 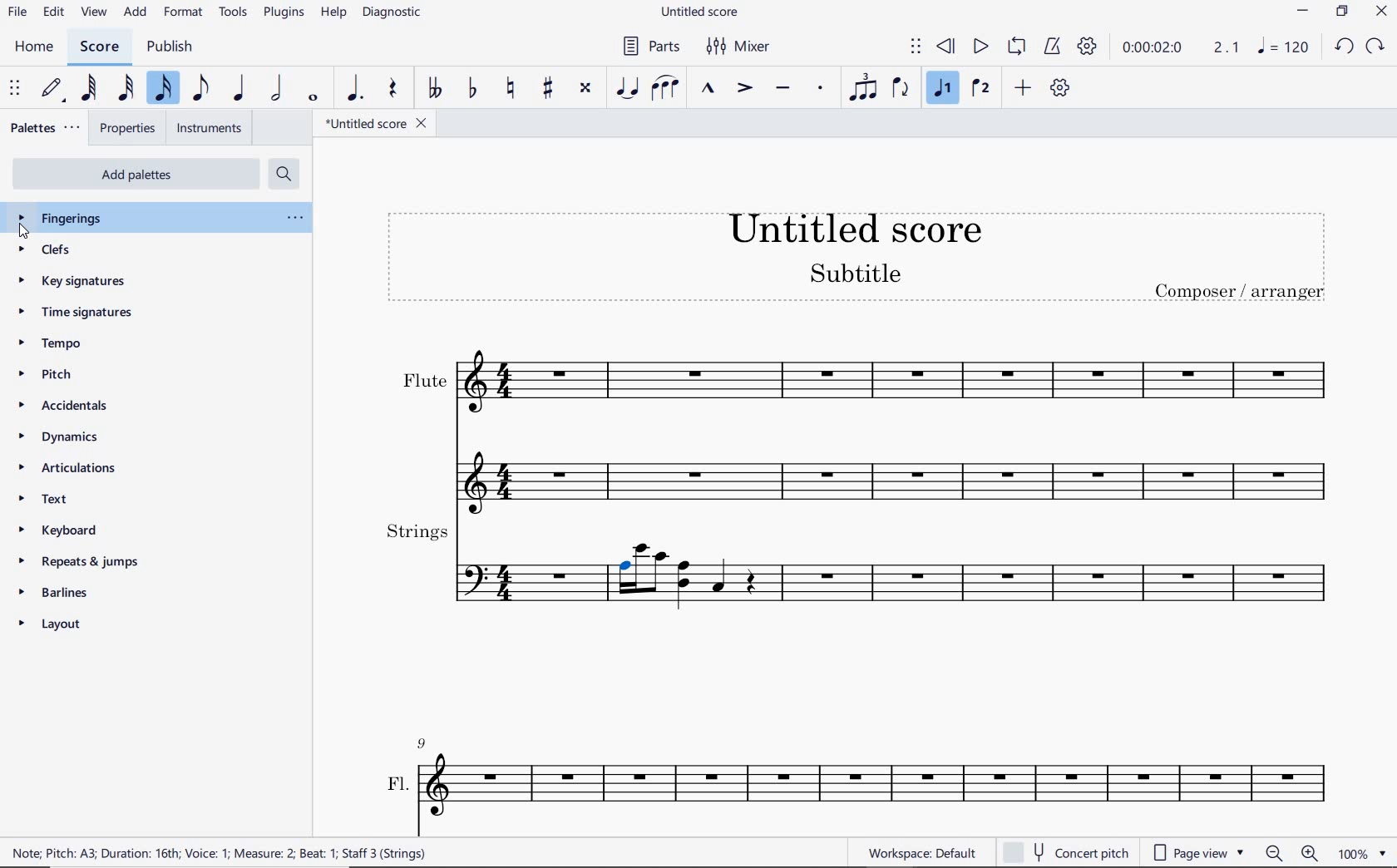 I want to click on file name, so click(x=375, y=124).